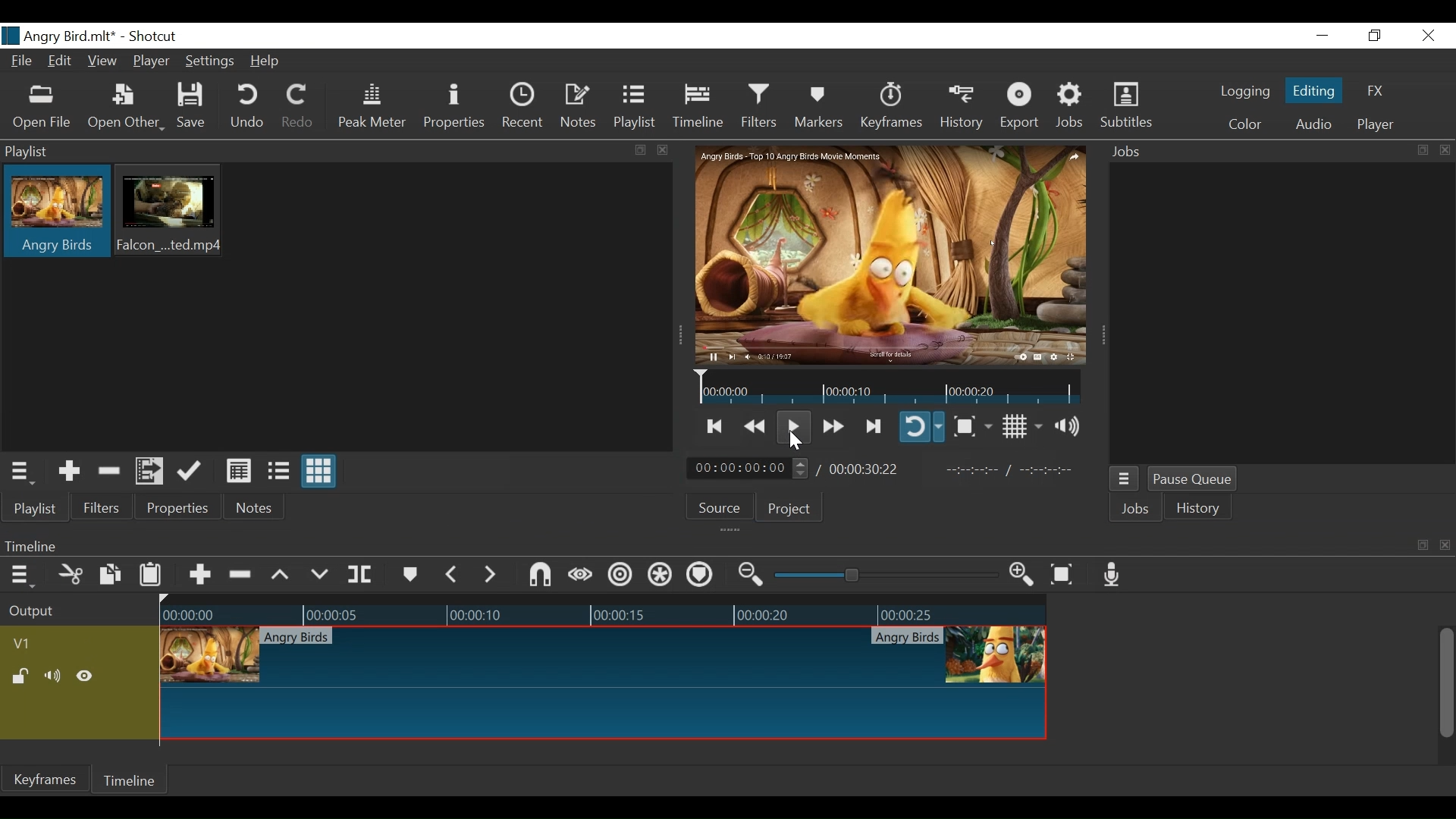 The height and width of the screenshot is (819, 1456). I want to click on Previous marker, so click(453, 574).